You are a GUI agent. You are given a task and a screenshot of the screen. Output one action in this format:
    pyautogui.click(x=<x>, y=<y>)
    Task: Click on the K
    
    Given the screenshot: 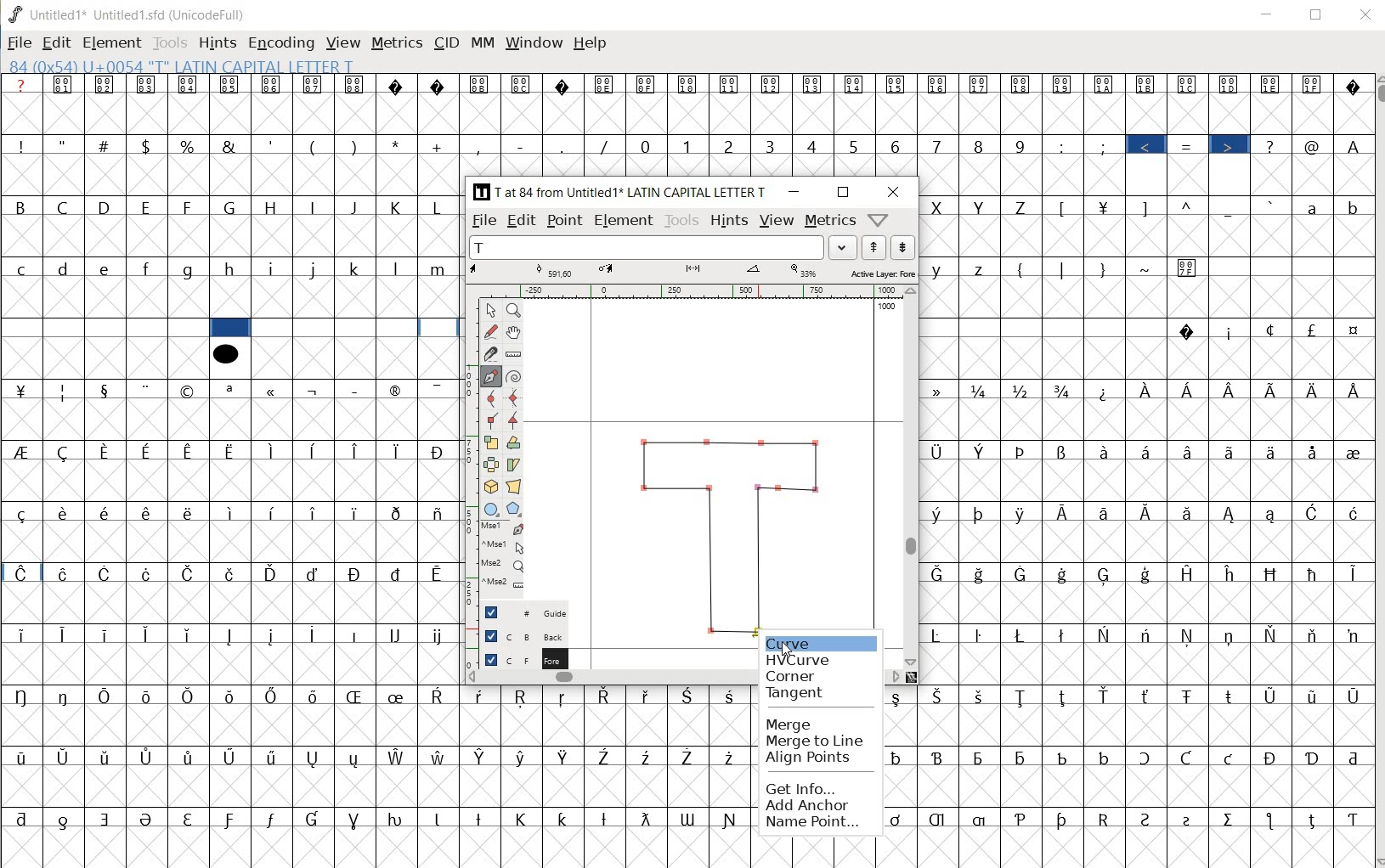 What is the action you would take?
    pyautogui.click(x=399, y=206)
    